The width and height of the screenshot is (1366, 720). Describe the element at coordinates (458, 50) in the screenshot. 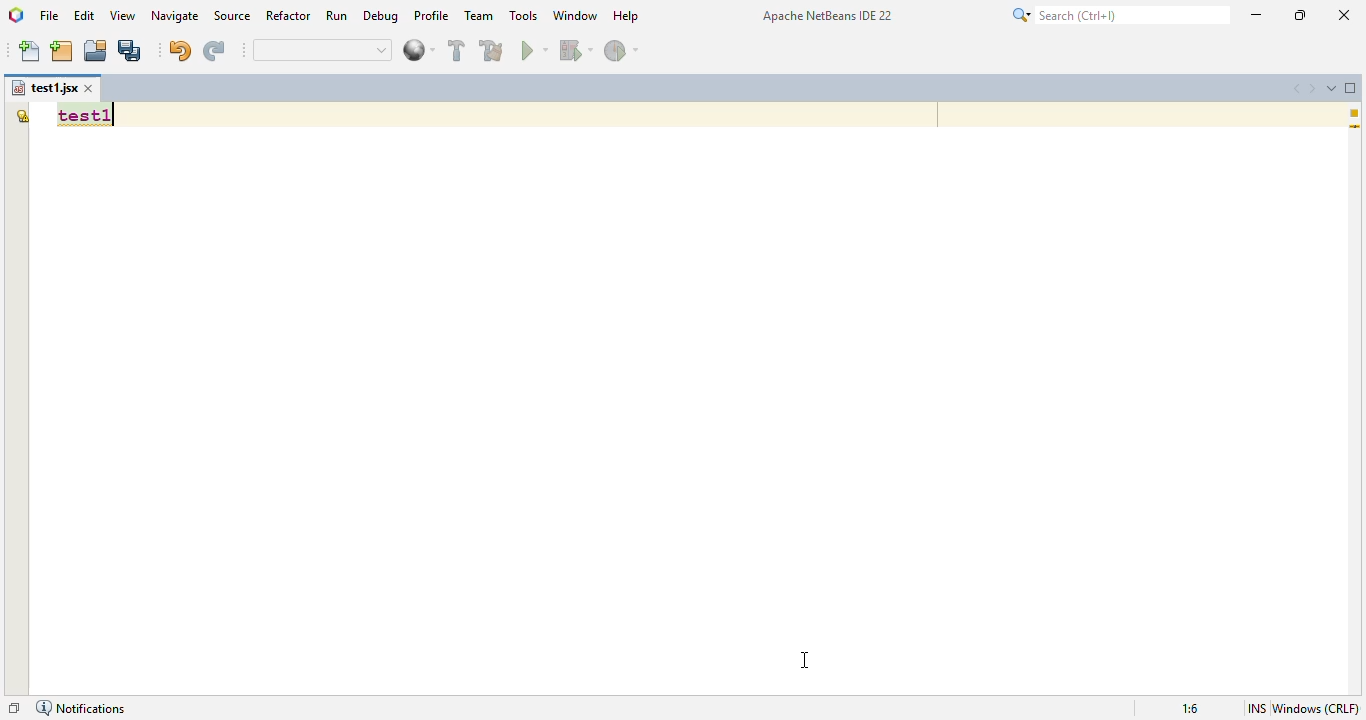

I see `build project` at that location.